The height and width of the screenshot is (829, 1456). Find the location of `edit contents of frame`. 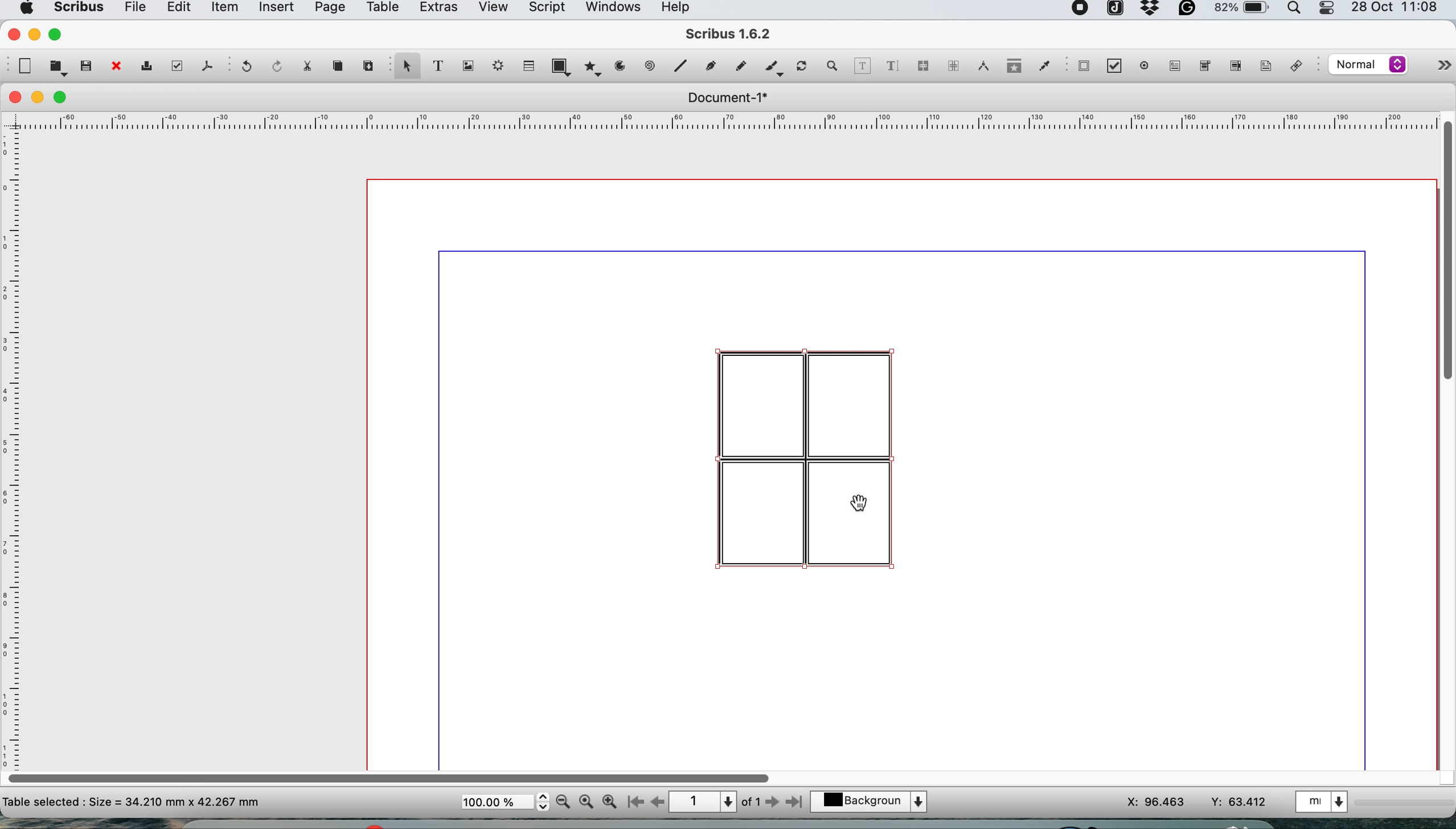

edit contents of frame is located at coordinates (862, 65).